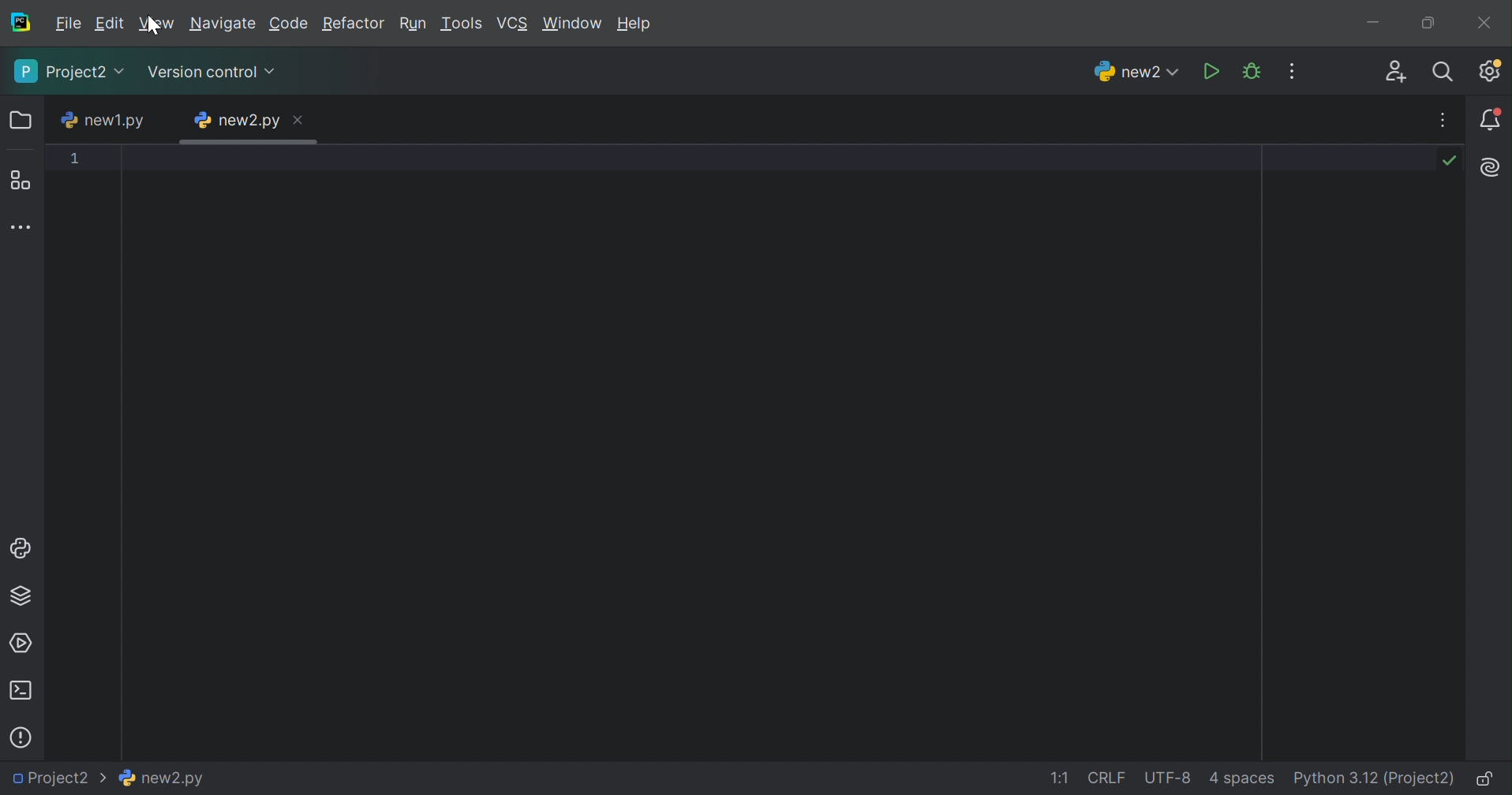 The image size is (1512, 795). What do you see at coordinates (1493, 118) in the screenshot?
I see `Notifications` at bounding box center [1493, 118].